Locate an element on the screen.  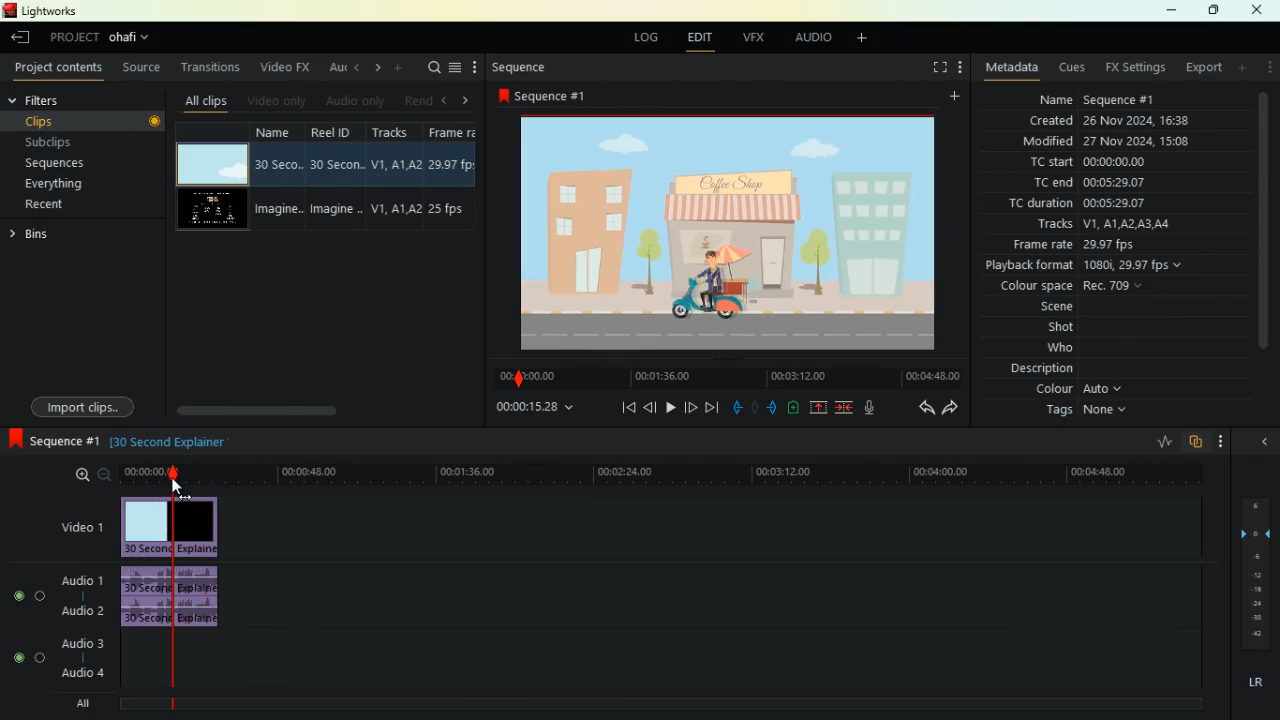
timeline is located at coordinates (722, 379).